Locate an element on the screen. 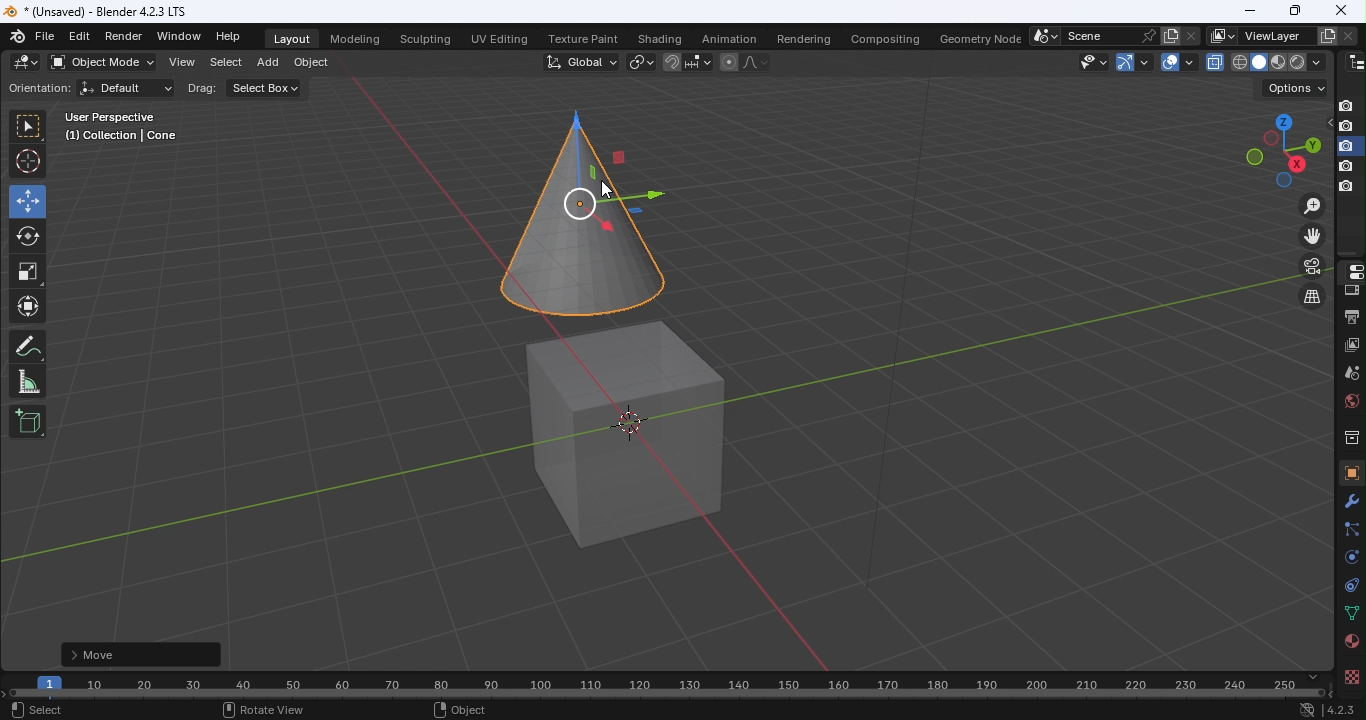 Image resolution: width=1366 pixels, height=720 pixels. Output is located at coordinates (1349, 315).